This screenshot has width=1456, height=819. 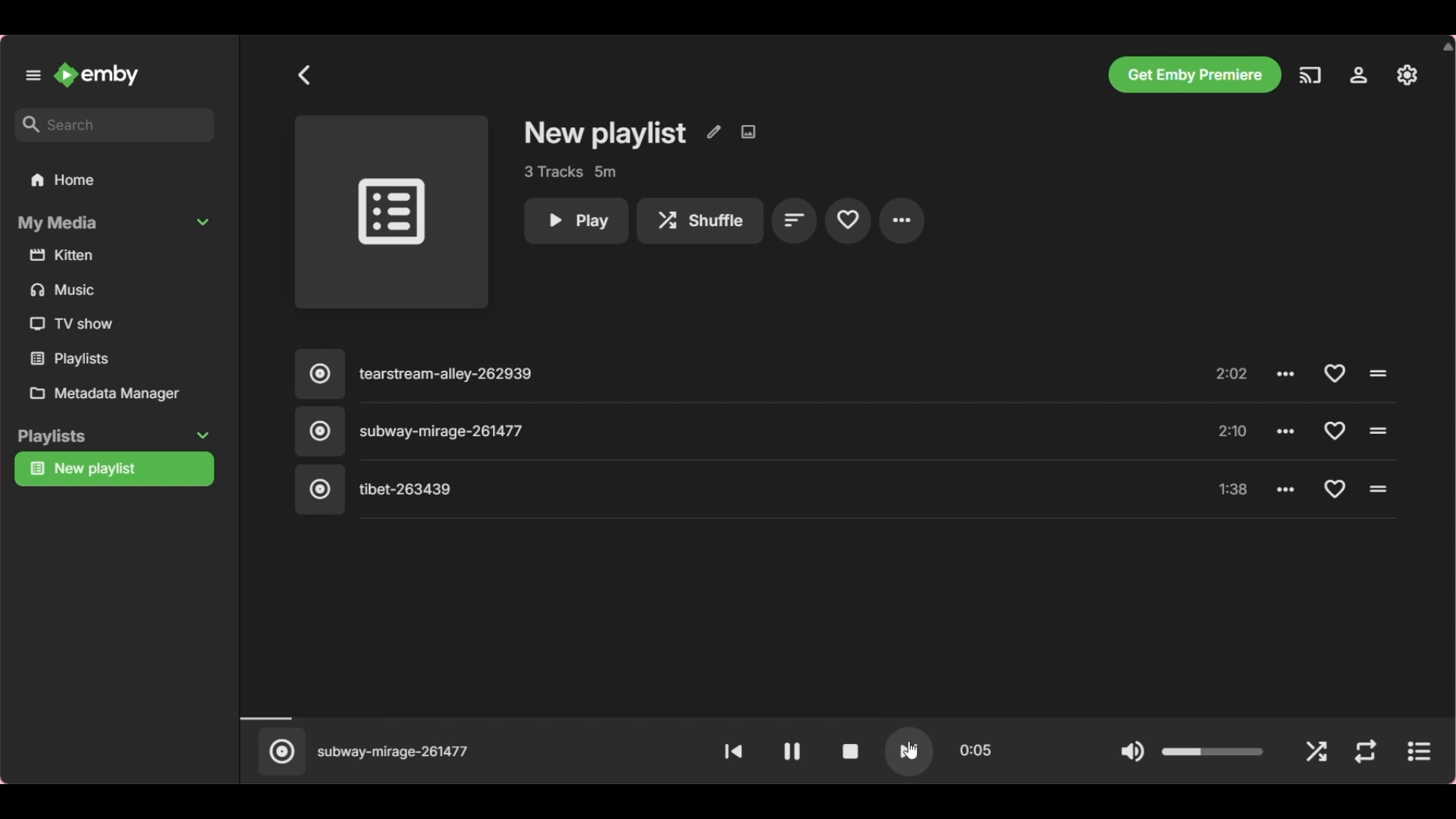 What do you see at coordinates (1310, 75) in the screenshot?
I see `Play on another device` at bounding box center [1310, 75].